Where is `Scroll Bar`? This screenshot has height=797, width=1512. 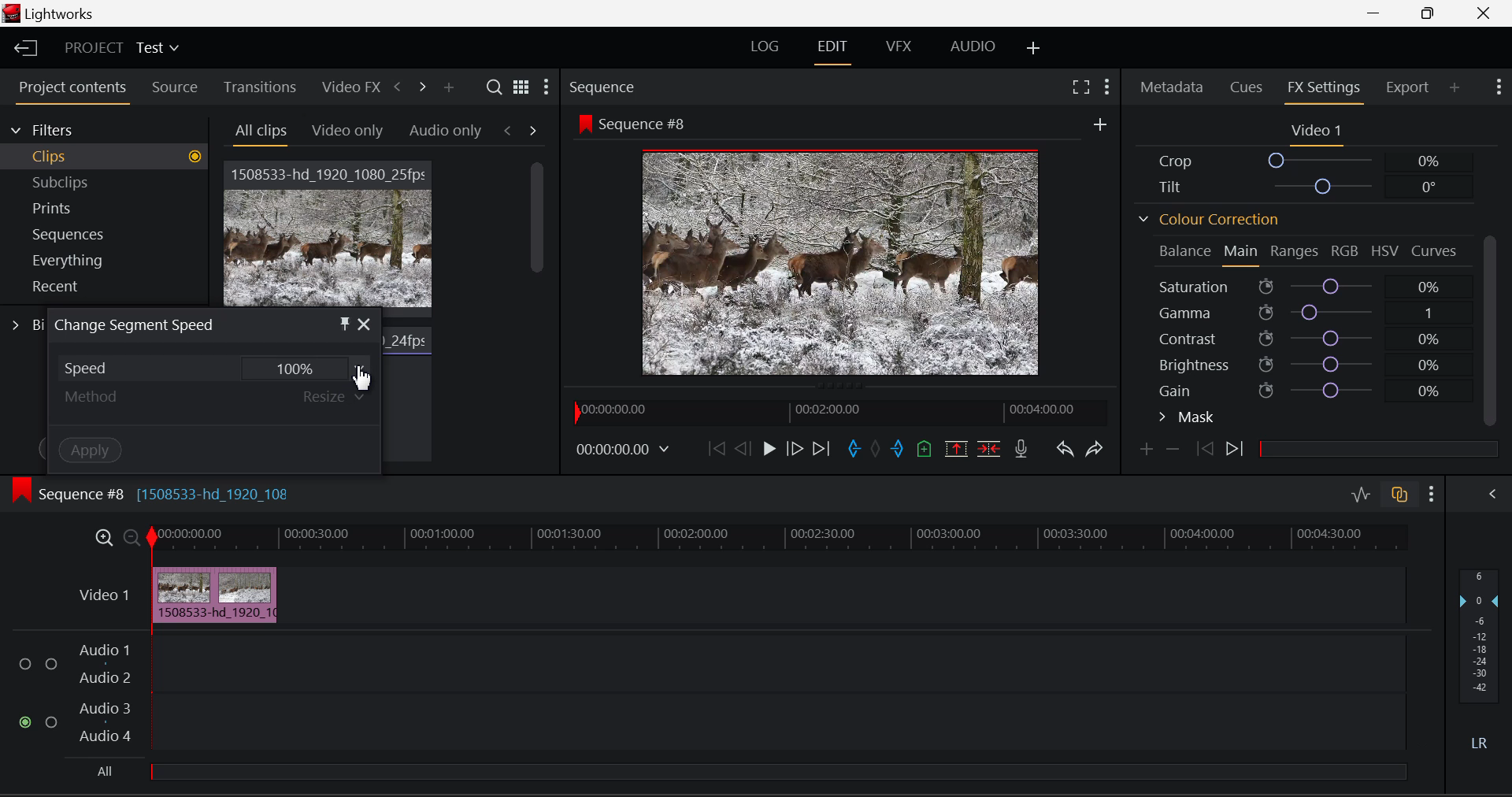 Scroll Bar is located at coordinates (535, 237).